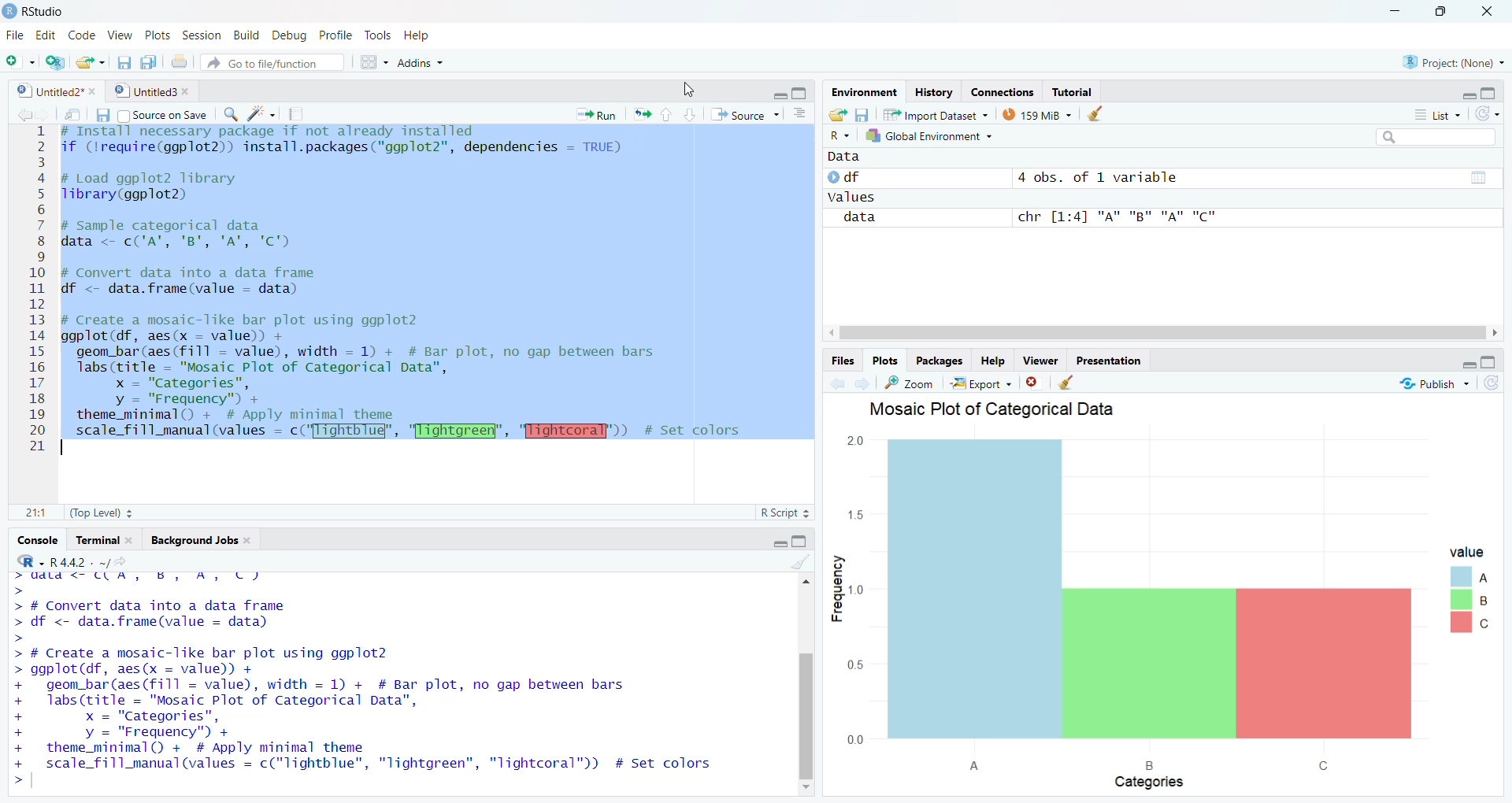  I want to click on chr [1:4] "A" "B"™ "A" "C", so click(1114, 219).